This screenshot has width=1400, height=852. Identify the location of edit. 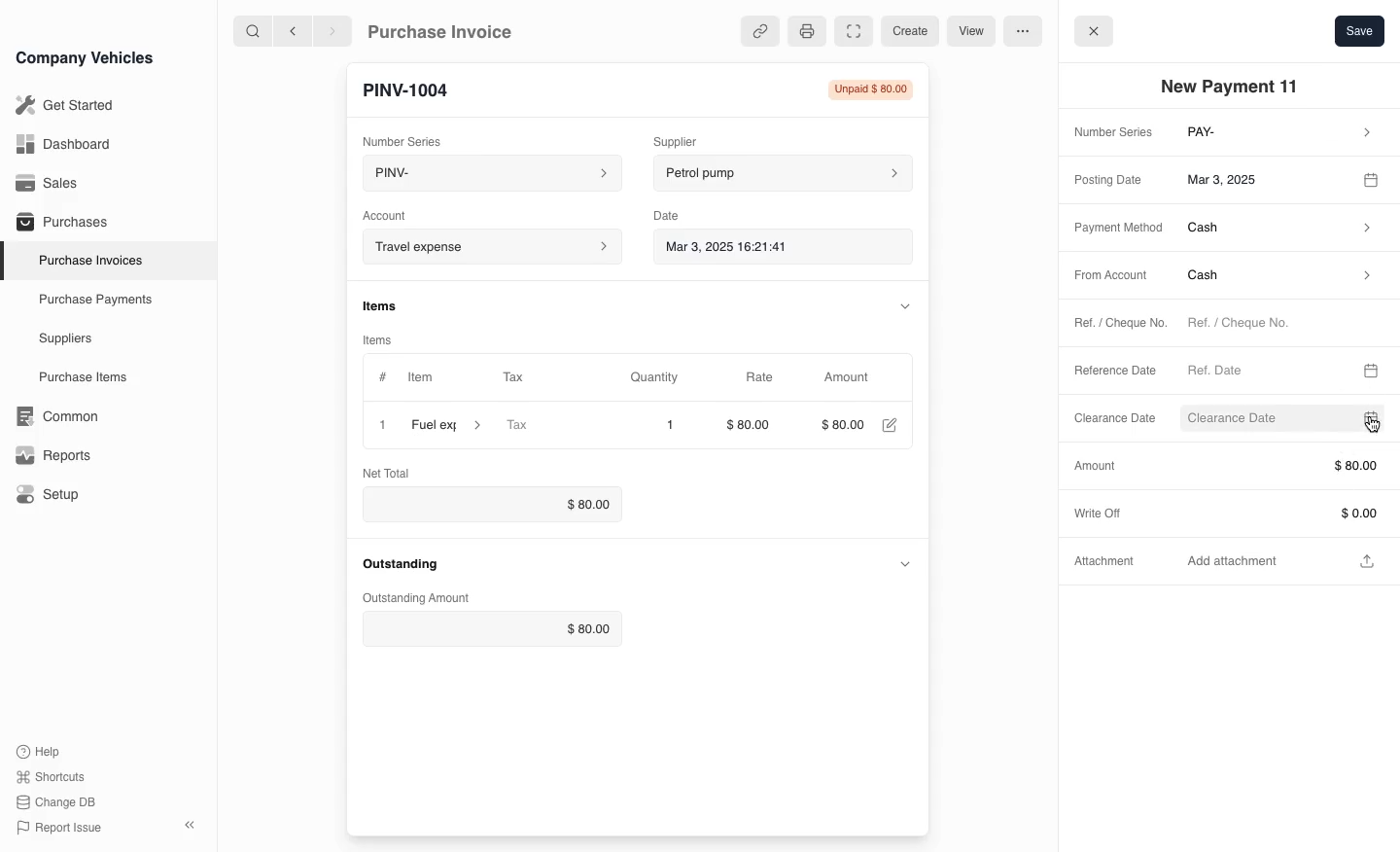
(889, 427).